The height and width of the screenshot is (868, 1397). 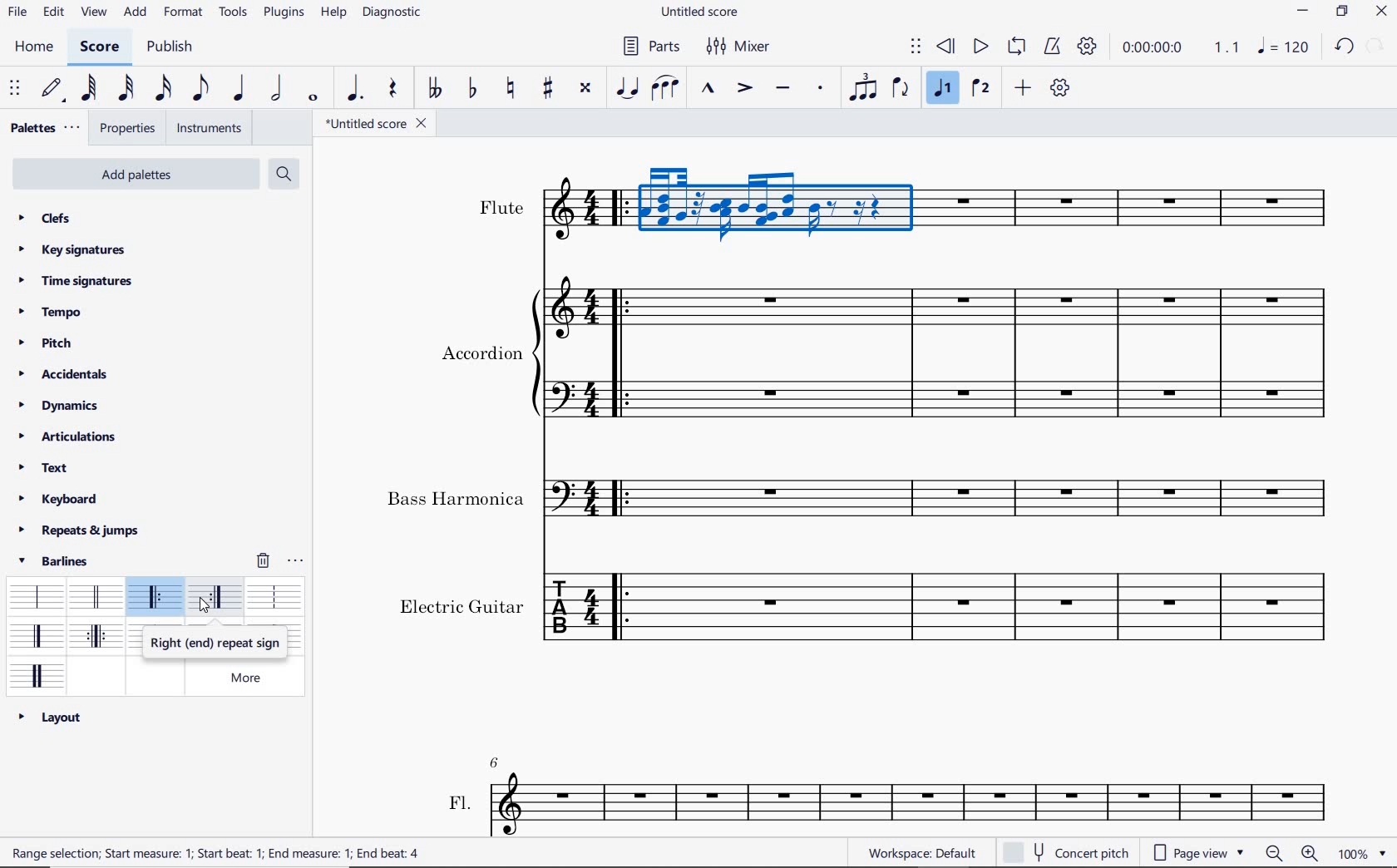 What do you see at coordinates (215, 644) in the screenshot?
I see `left (start) repeat sign` at bounding box center [215, 644].